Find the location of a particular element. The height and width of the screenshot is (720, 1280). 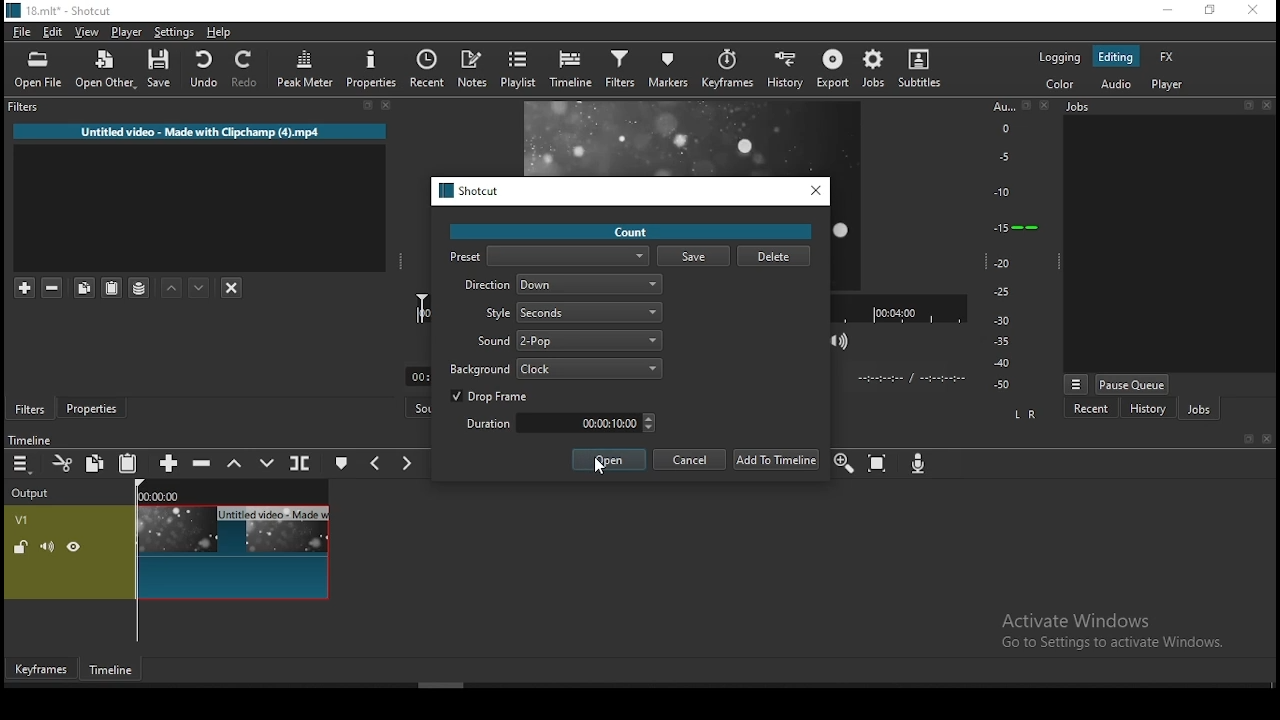

record audio is located at coordinates (919, 466).